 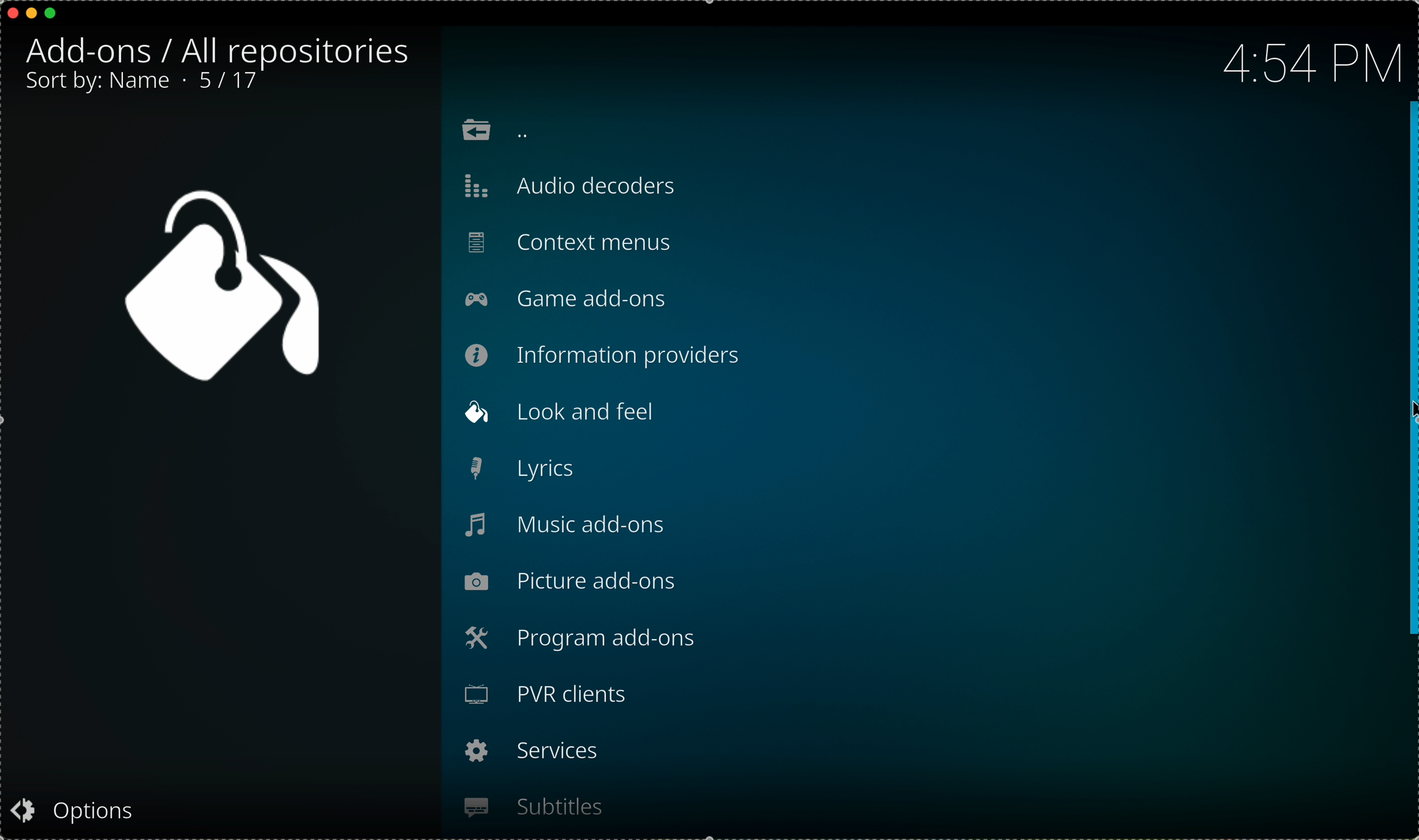 I want to click on PVR clients, so click(x=552, y=698).